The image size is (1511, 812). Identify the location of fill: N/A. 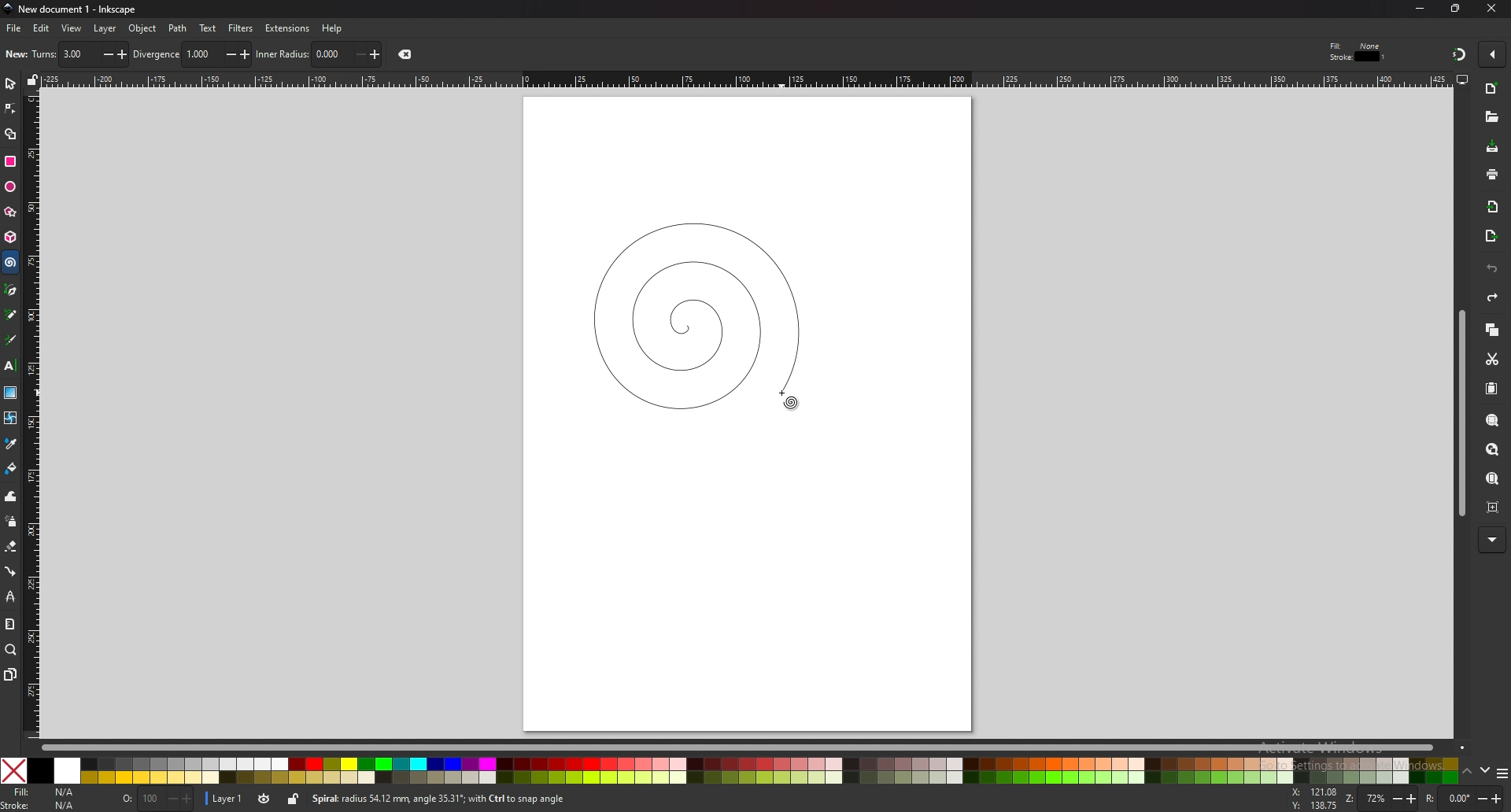
(47, 791).